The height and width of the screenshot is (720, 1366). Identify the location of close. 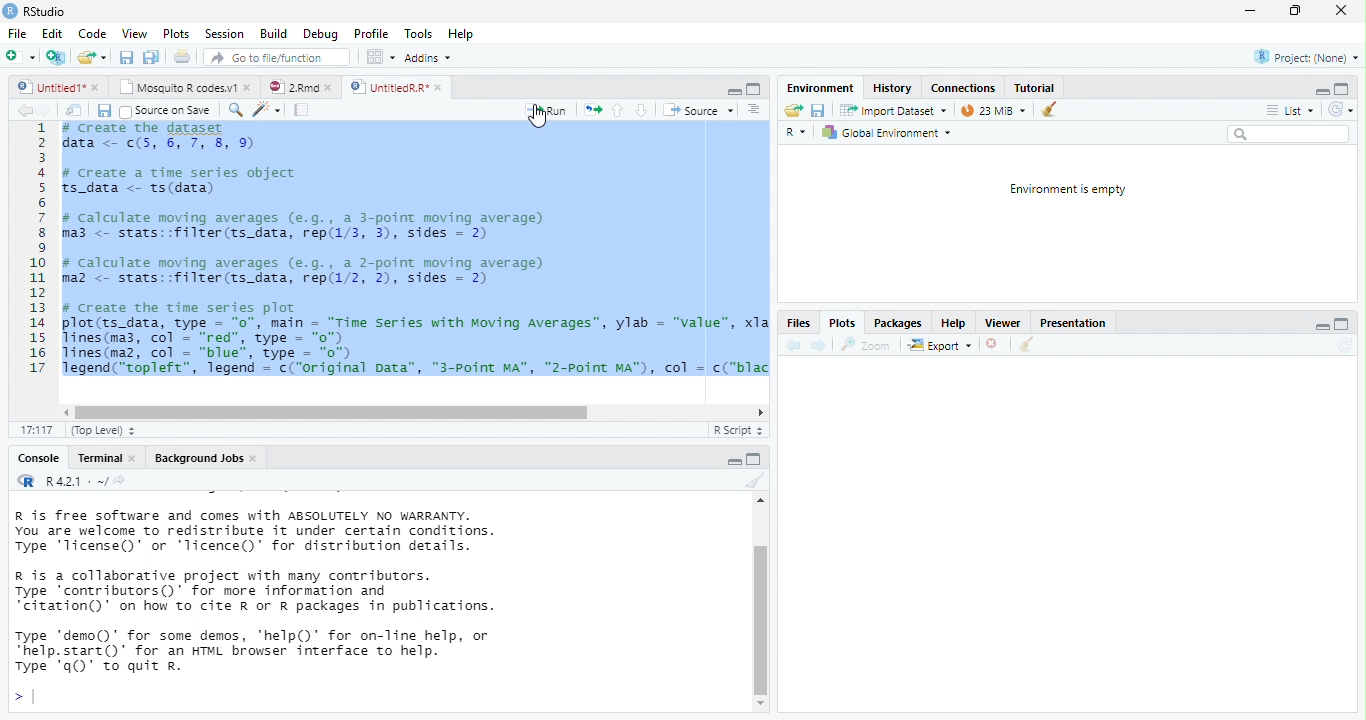
(256, 459).